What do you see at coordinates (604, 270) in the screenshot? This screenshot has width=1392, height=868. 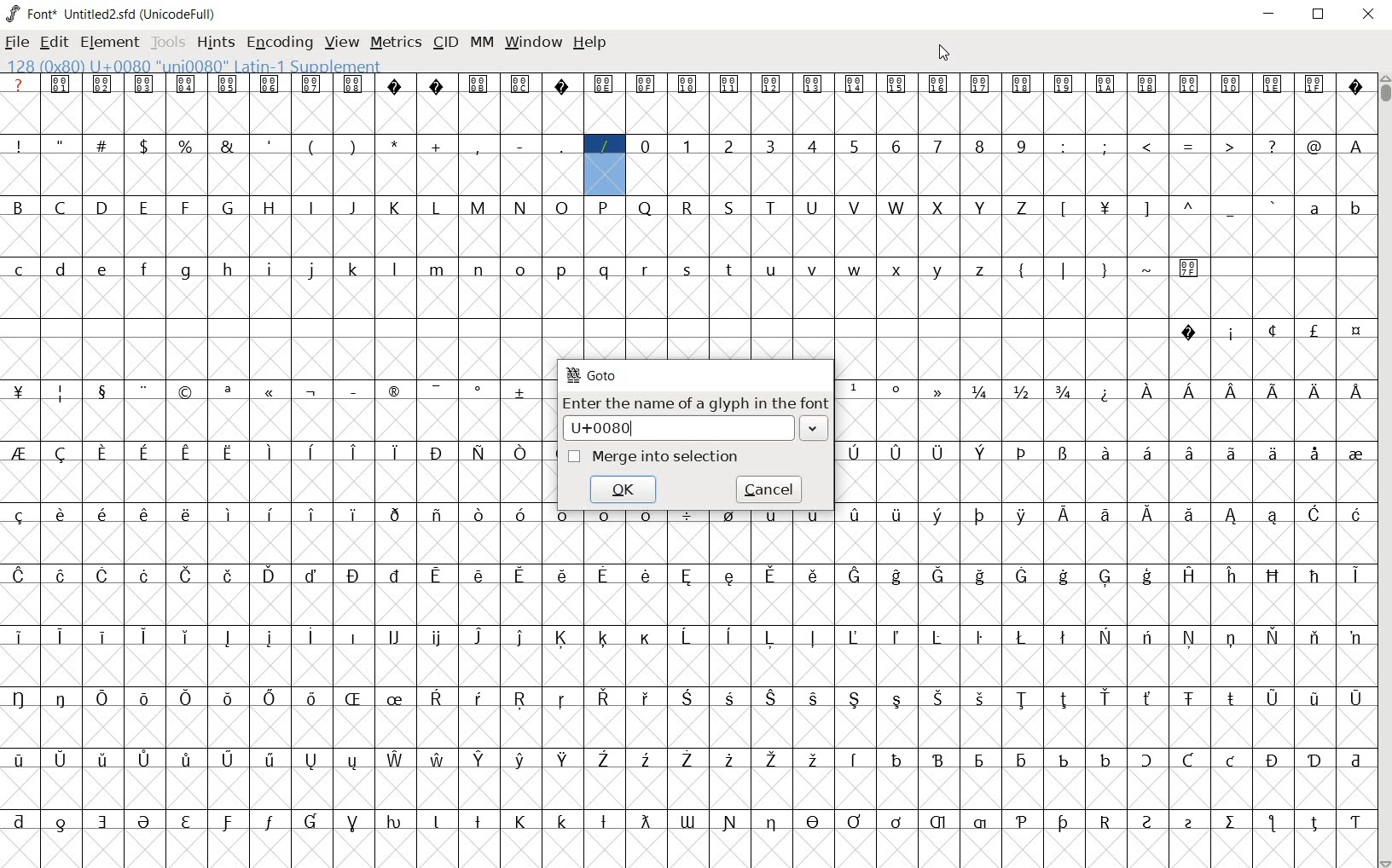 I see `glyph` at bounding box center [604, 270].